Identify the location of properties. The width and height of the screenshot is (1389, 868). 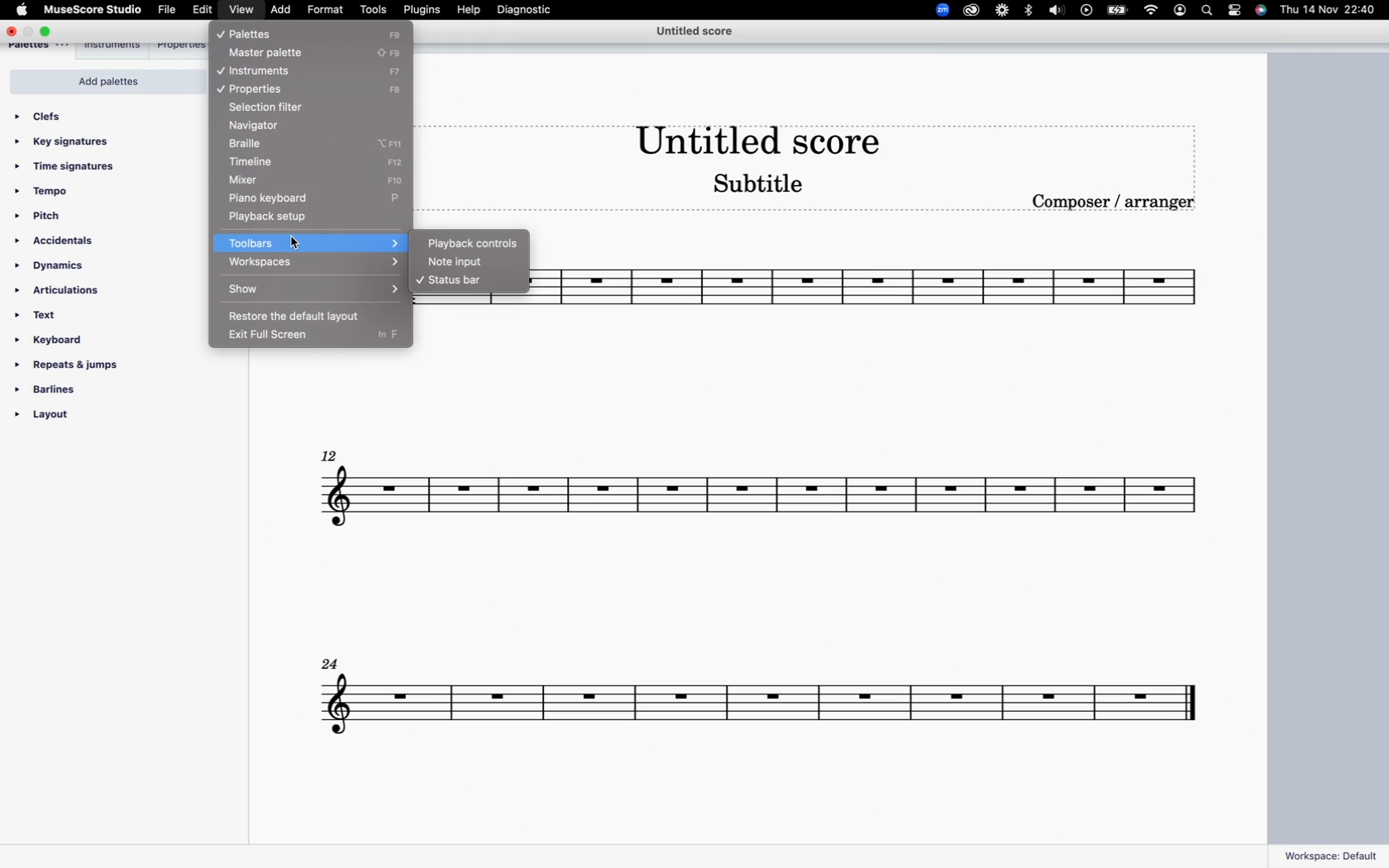
(272, 88).